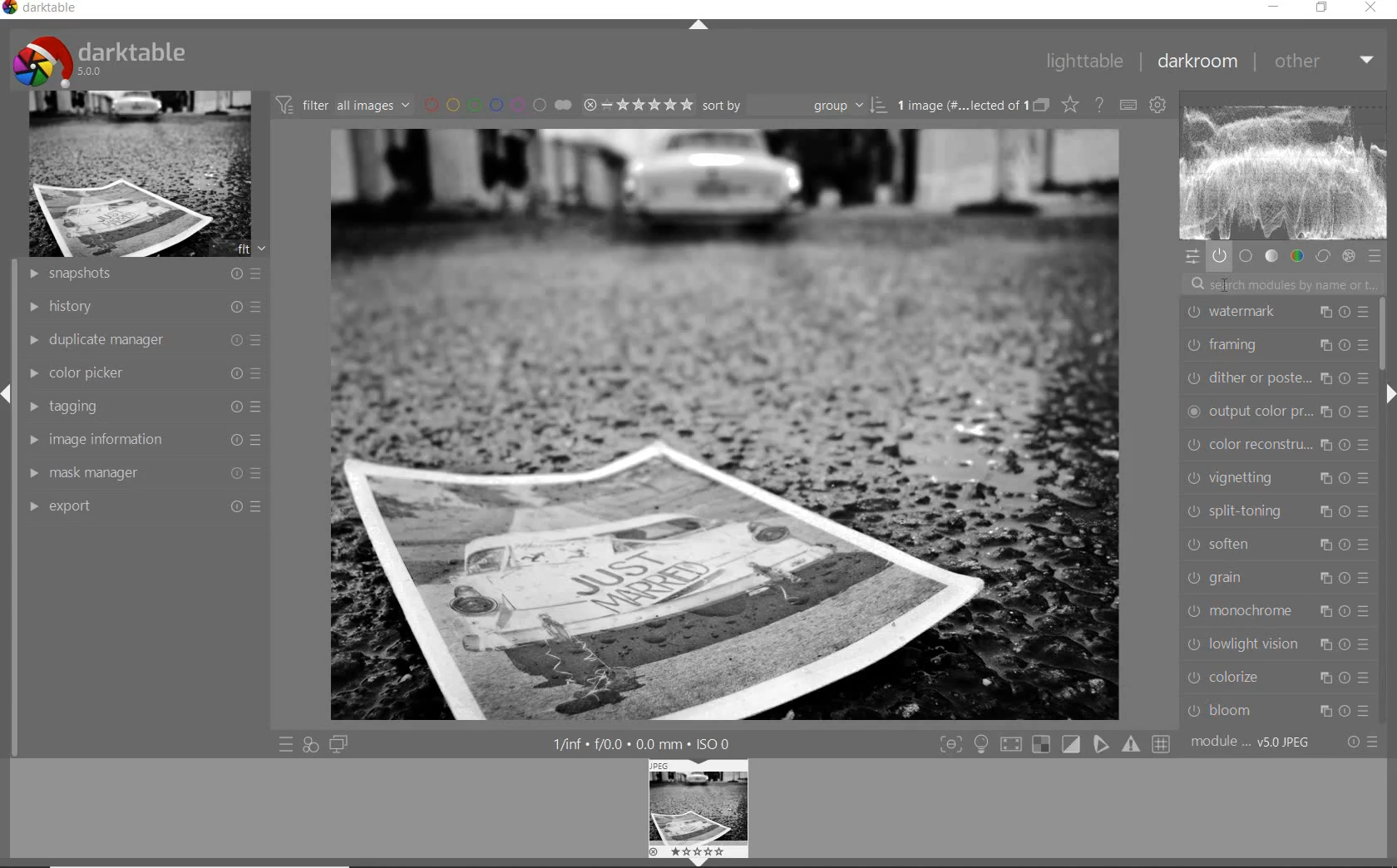  Describe the element at coordinates (1348, 256) in the screenshot. I see `effect` at that location.